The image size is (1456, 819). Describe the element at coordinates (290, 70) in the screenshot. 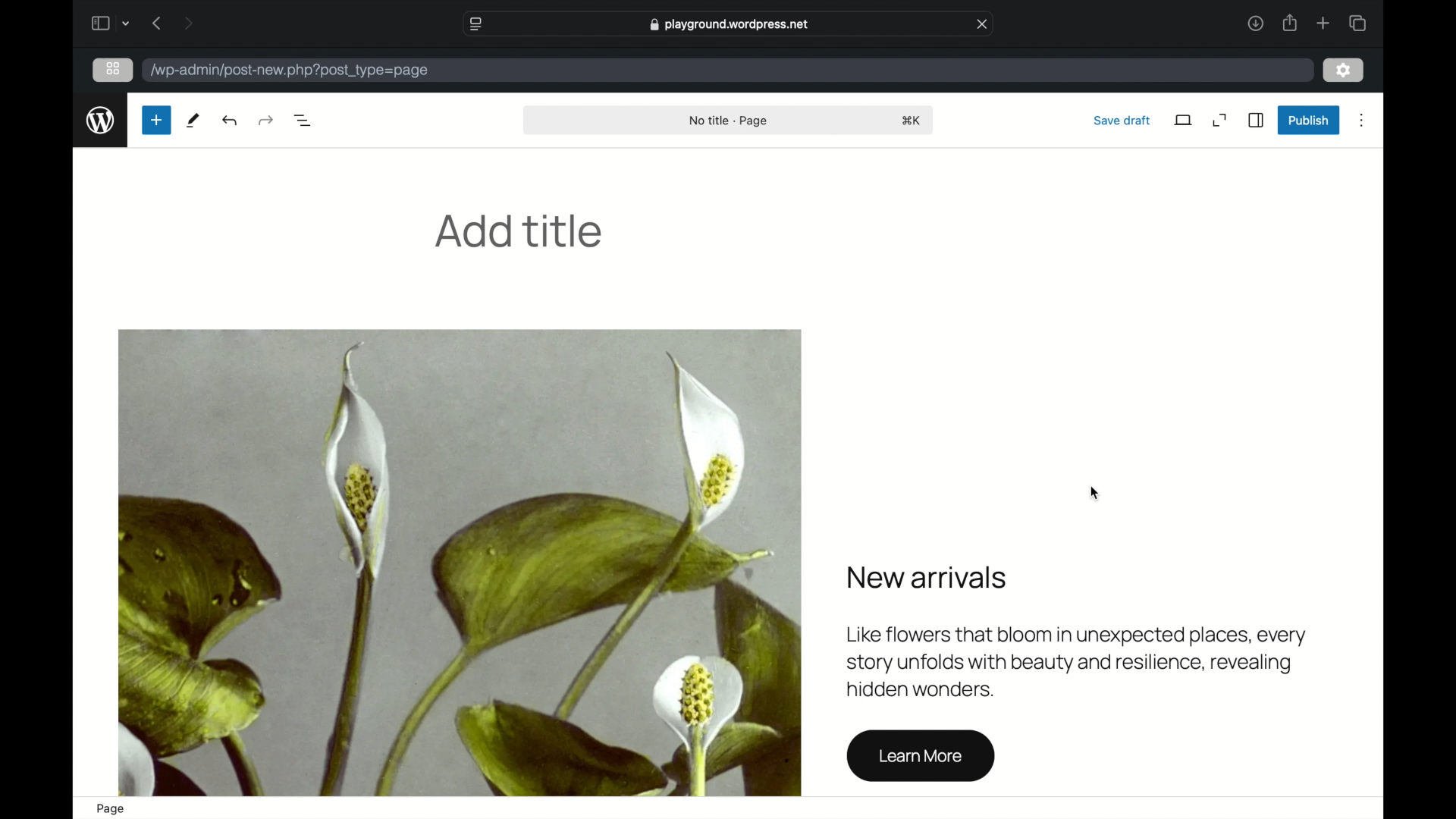

I see `wordpress address` at that location.